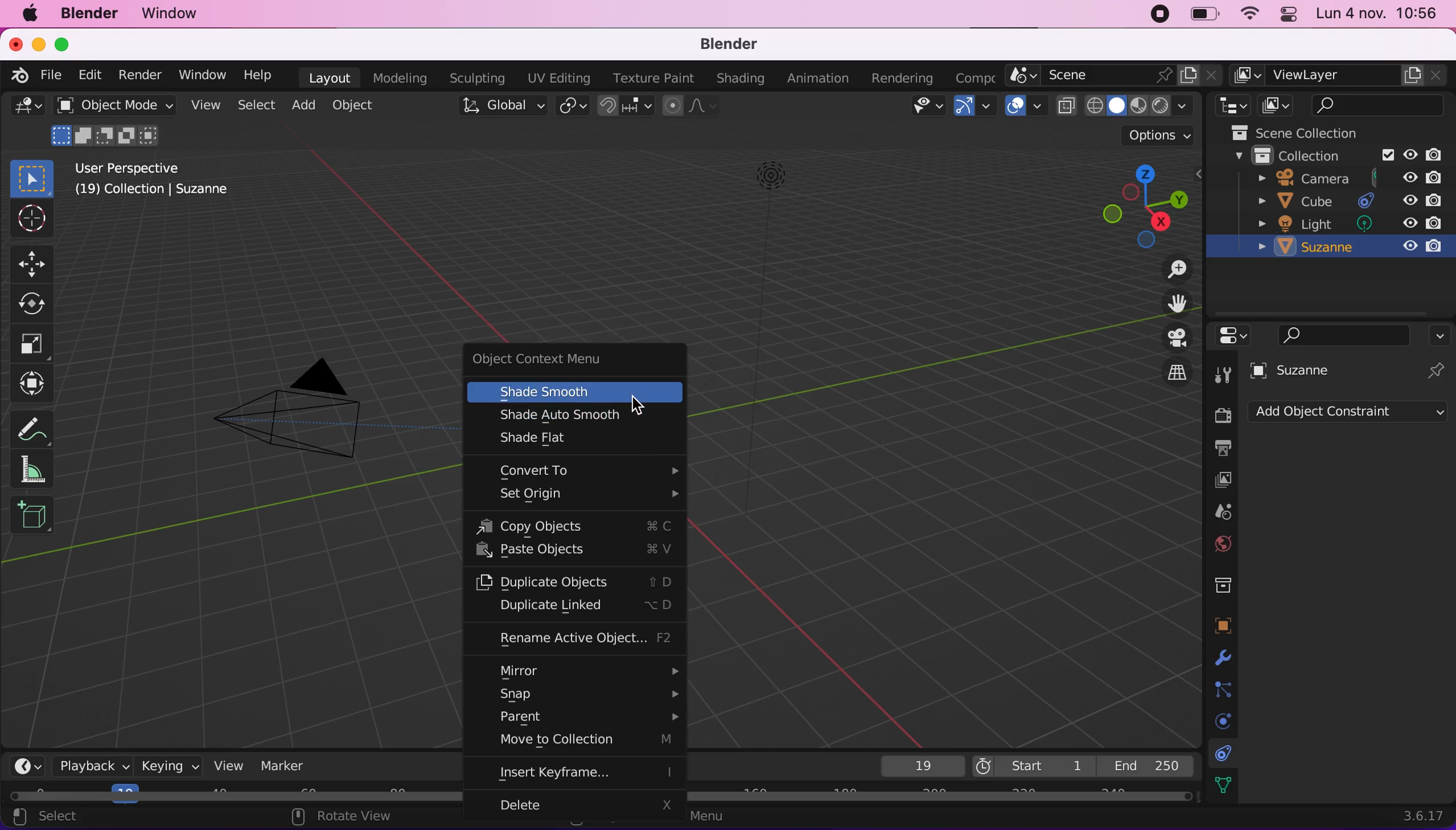  What do you see at coordinates (962, 108) in the screenshot?
I see `show gizmo` at bounding box center [962, 108].